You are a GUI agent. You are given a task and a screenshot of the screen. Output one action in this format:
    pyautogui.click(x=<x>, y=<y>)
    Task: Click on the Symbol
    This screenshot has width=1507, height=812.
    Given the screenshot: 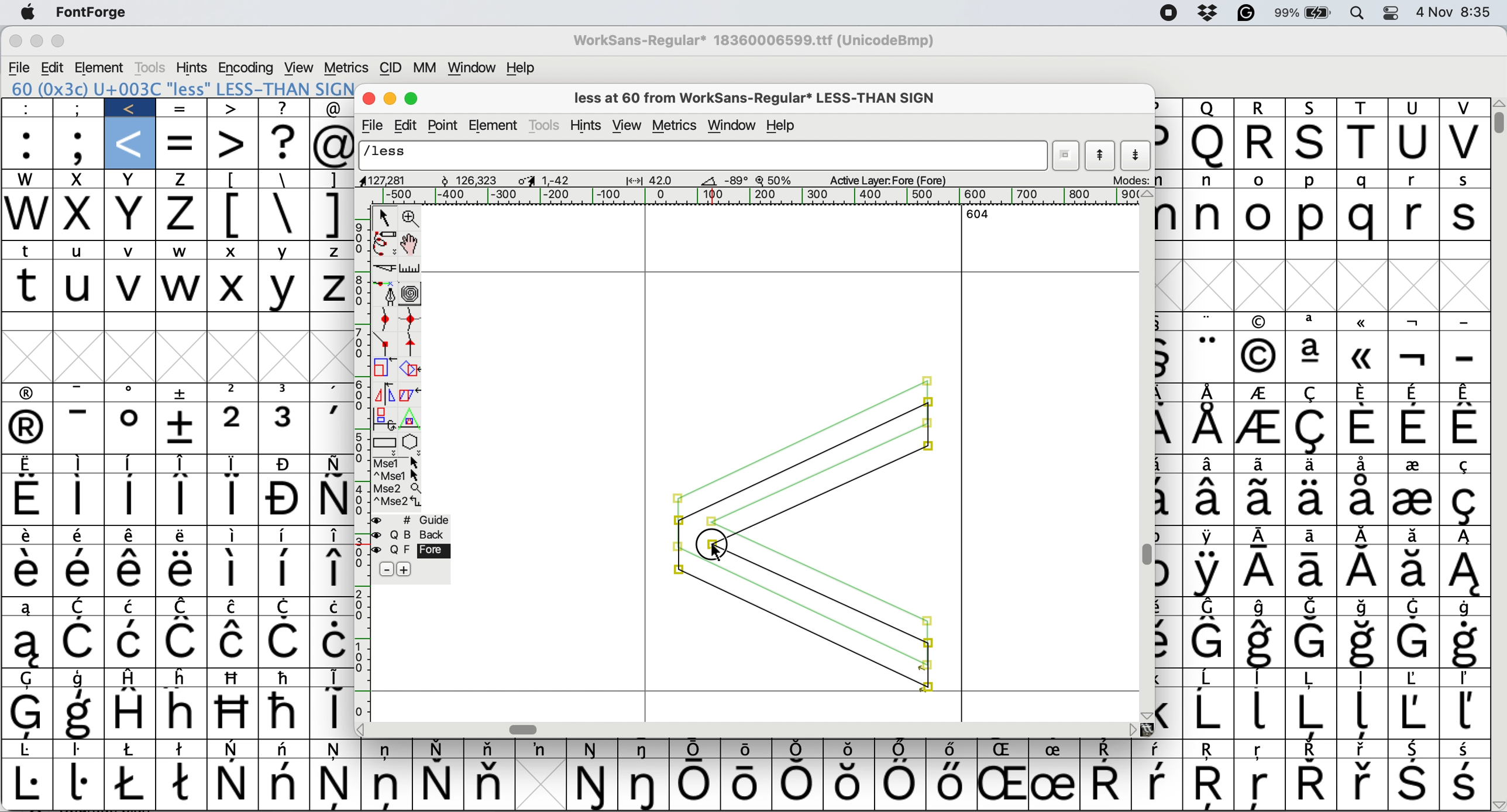 What is the action you would take?
    pyautogui.click(x=1260, y=787)
    